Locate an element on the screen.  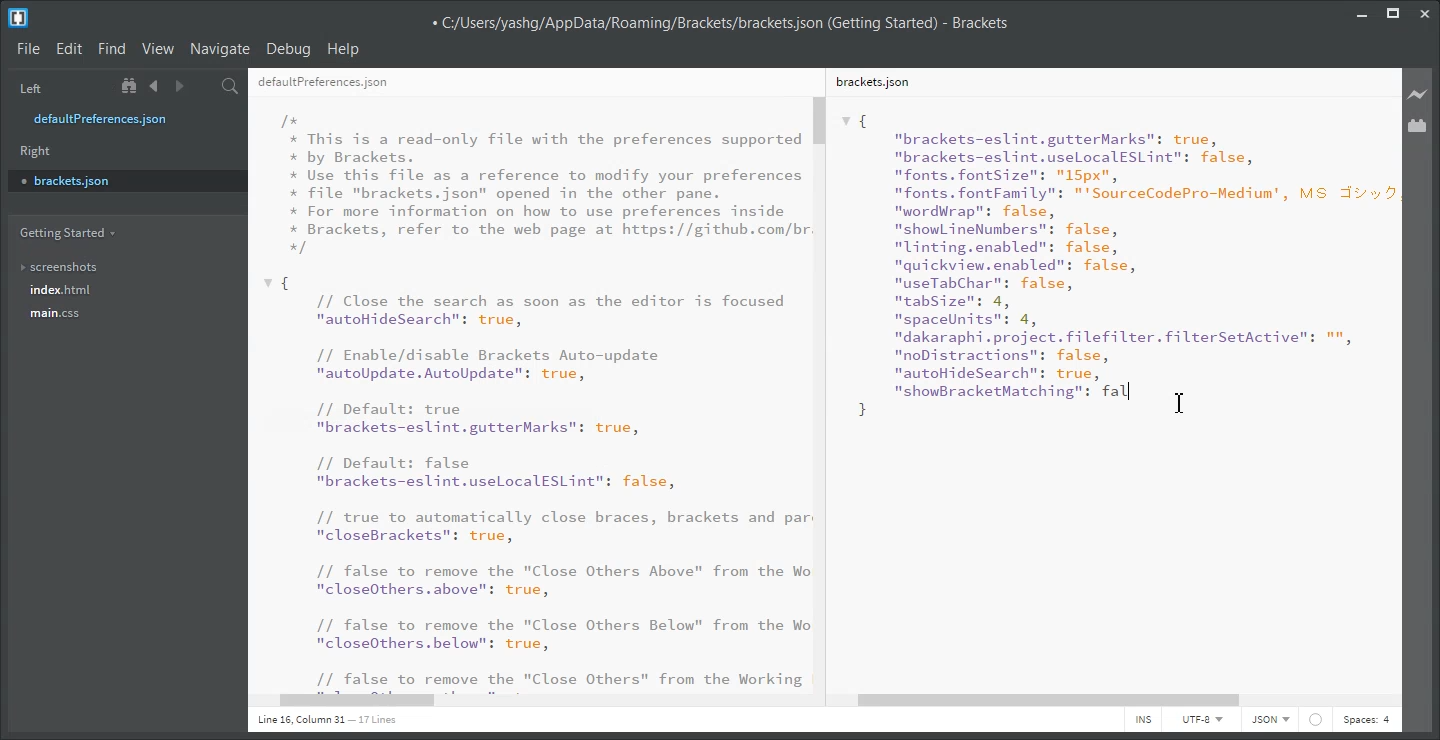
brackets.json is located at coordinates (871, 81).